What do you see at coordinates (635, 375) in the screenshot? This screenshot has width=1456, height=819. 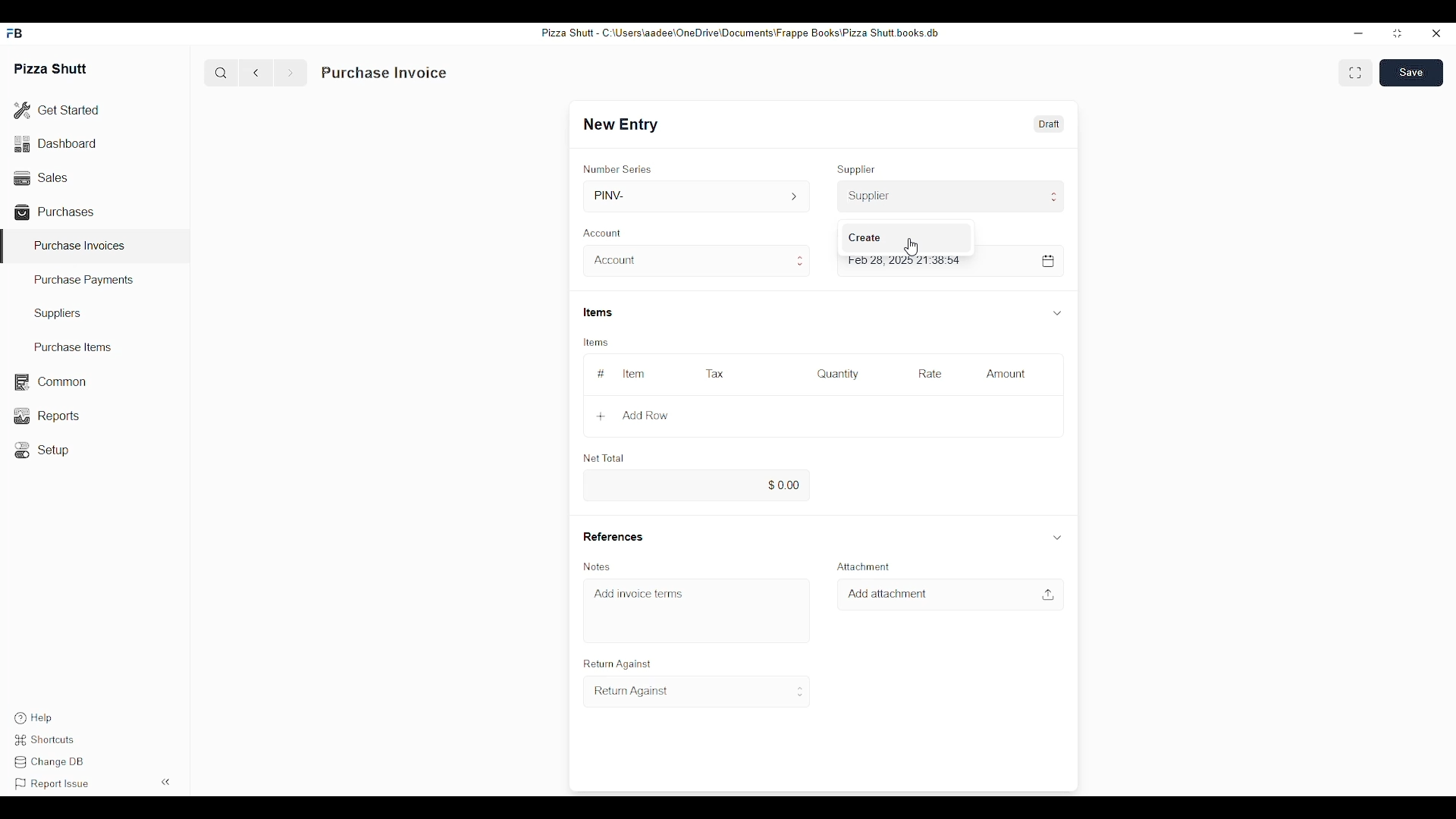 I see `Item` at bounding box center [635, 375].